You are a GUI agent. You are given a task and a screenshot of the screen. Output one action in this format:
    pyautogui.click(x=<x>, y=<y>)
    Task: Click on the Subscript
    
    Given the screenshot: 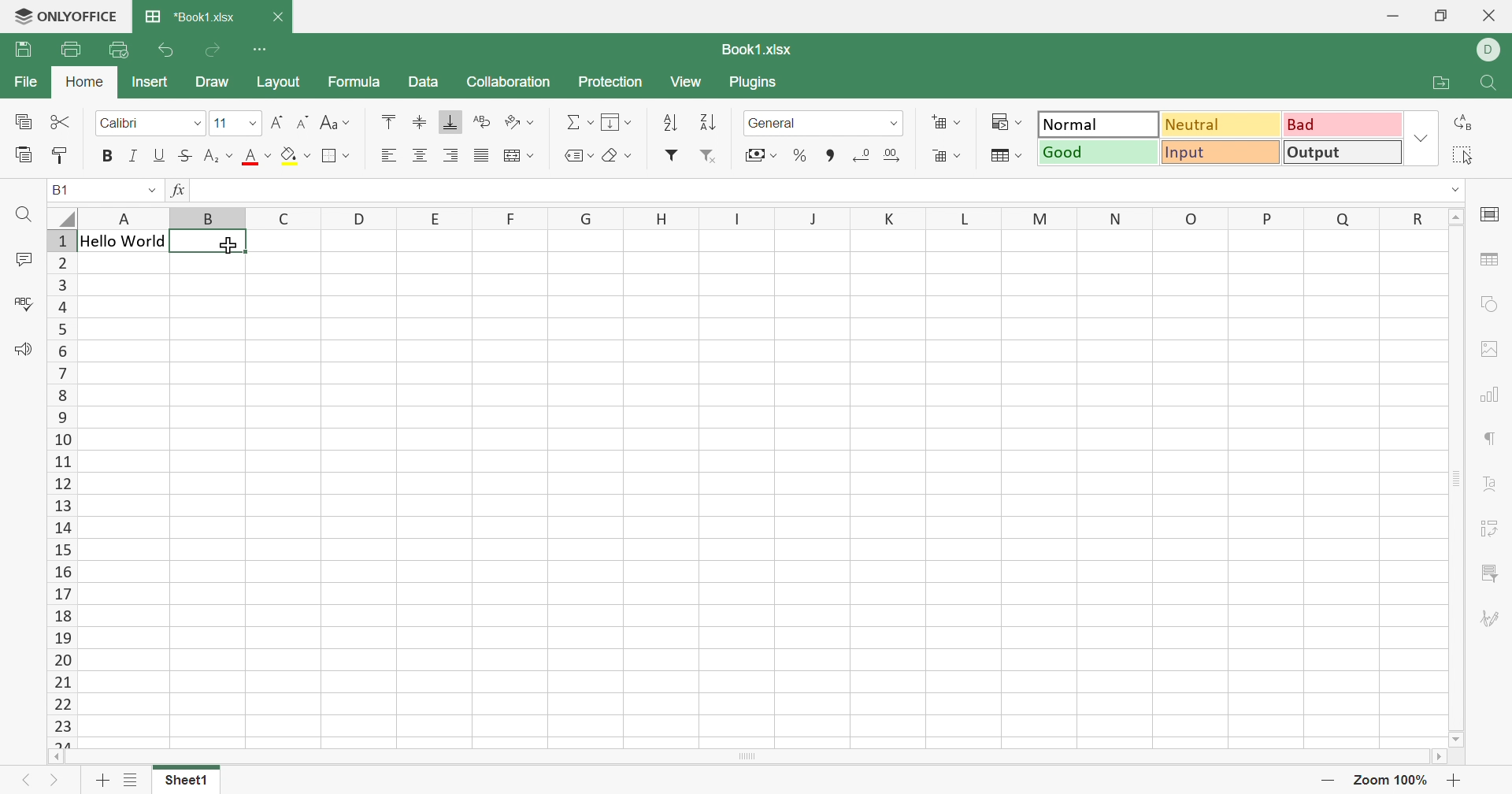 What is the action you would take?
    pyautogui.click(x=218, y=157)
    